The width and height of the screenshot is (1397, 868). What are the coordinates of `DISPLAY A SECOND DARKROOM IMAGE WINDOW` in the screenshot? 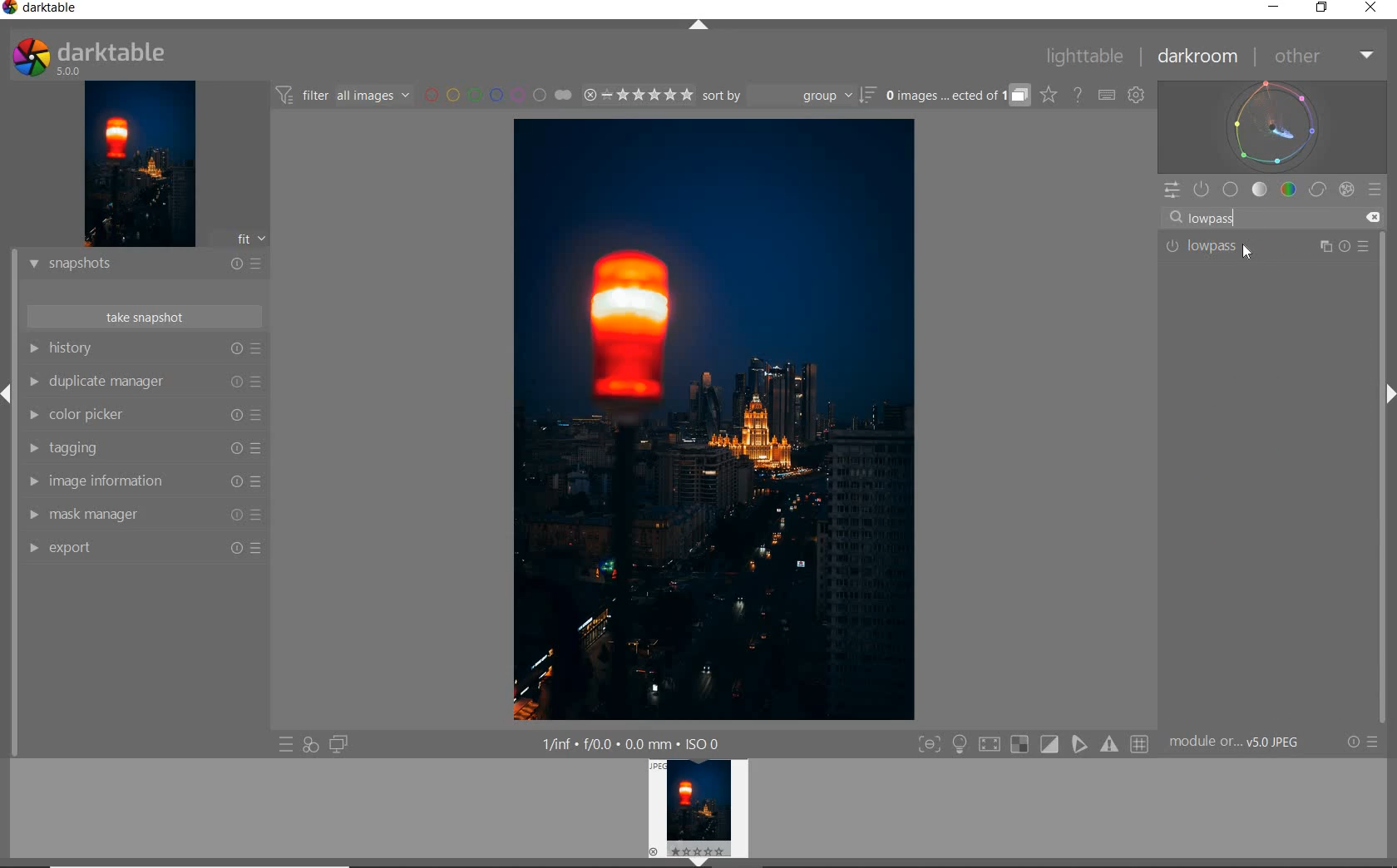 It's located at (338, 745).